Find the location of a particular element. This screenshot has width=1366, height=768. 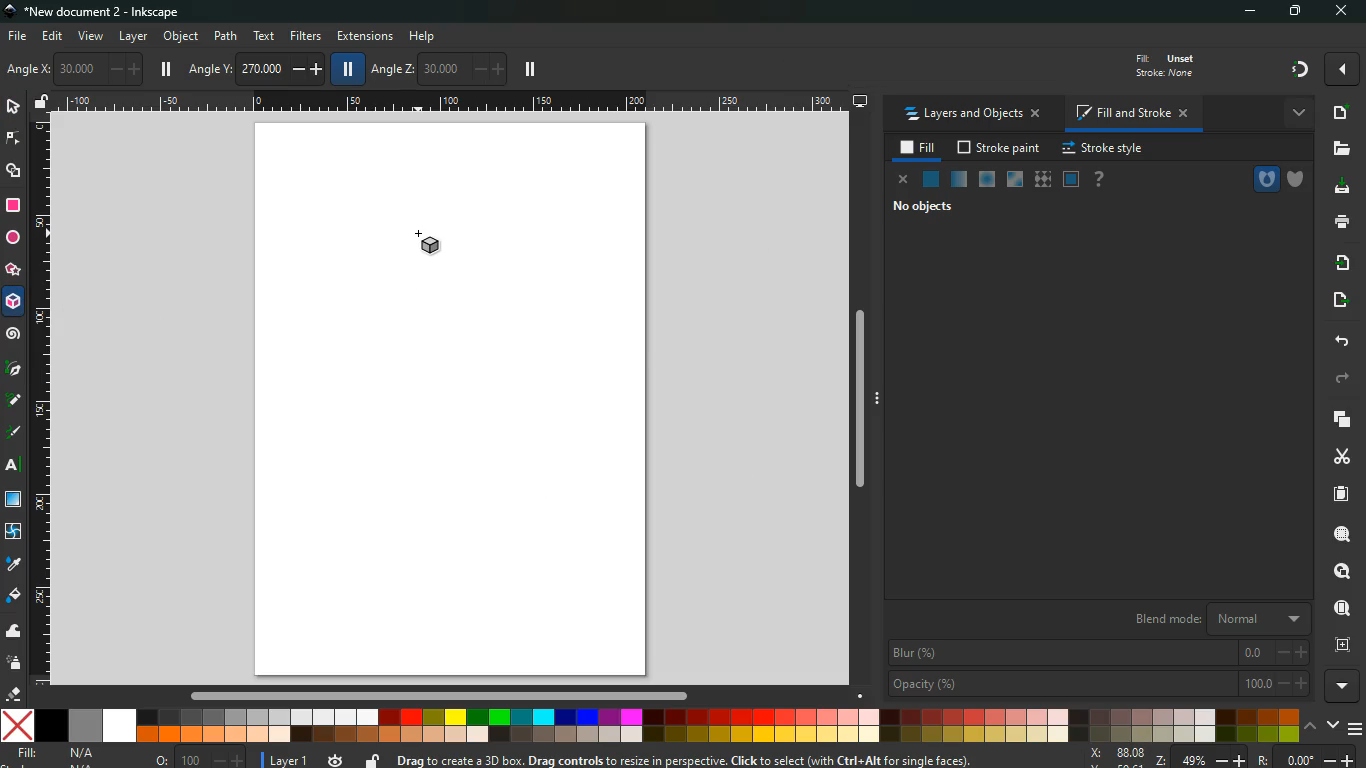

close is located at coordinates (1340, 12).